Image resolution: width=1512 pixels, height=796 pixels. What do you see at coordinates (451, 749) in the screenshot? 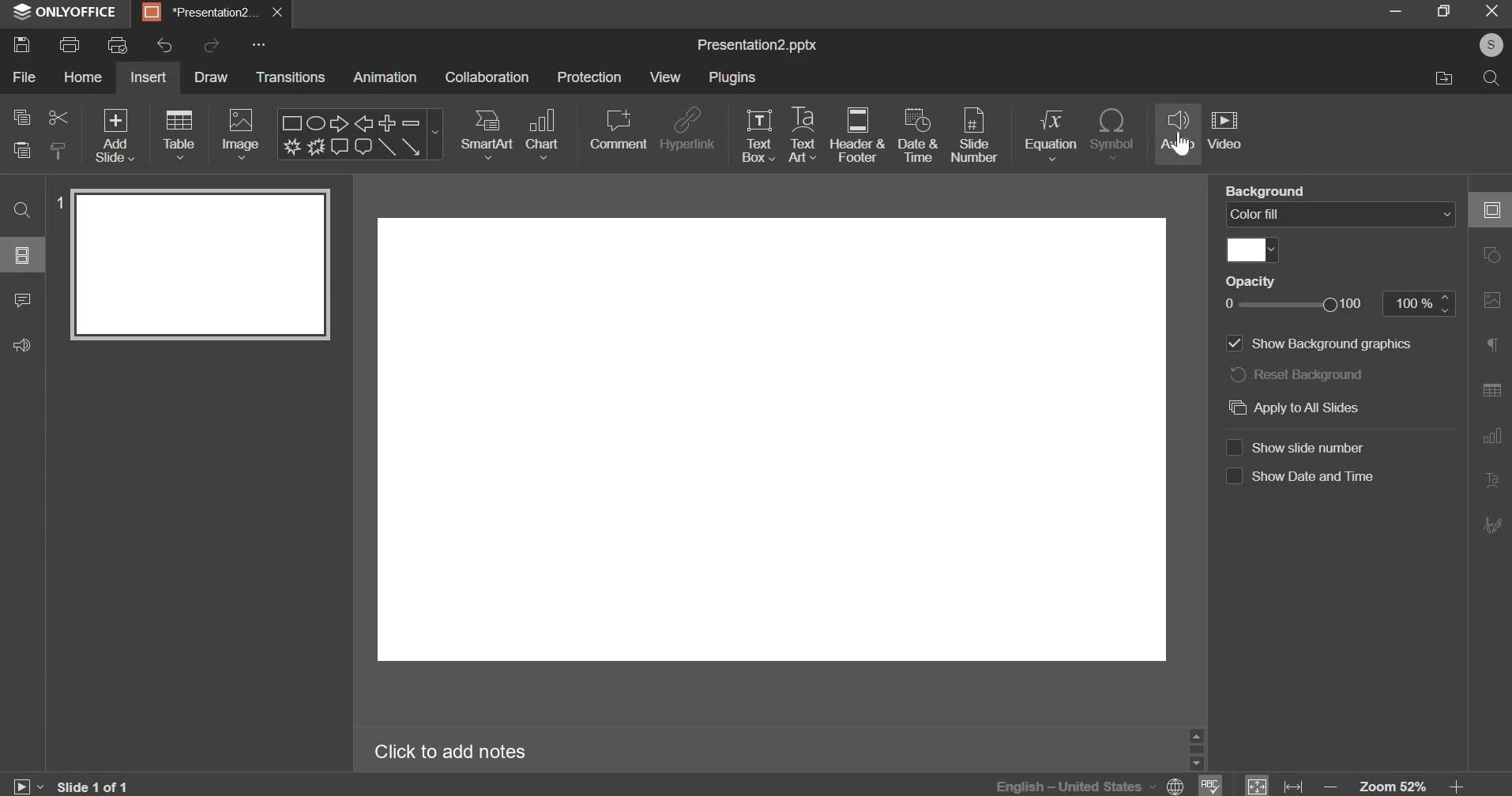
I see `click here to add notes` at bounding box center [451, 749].